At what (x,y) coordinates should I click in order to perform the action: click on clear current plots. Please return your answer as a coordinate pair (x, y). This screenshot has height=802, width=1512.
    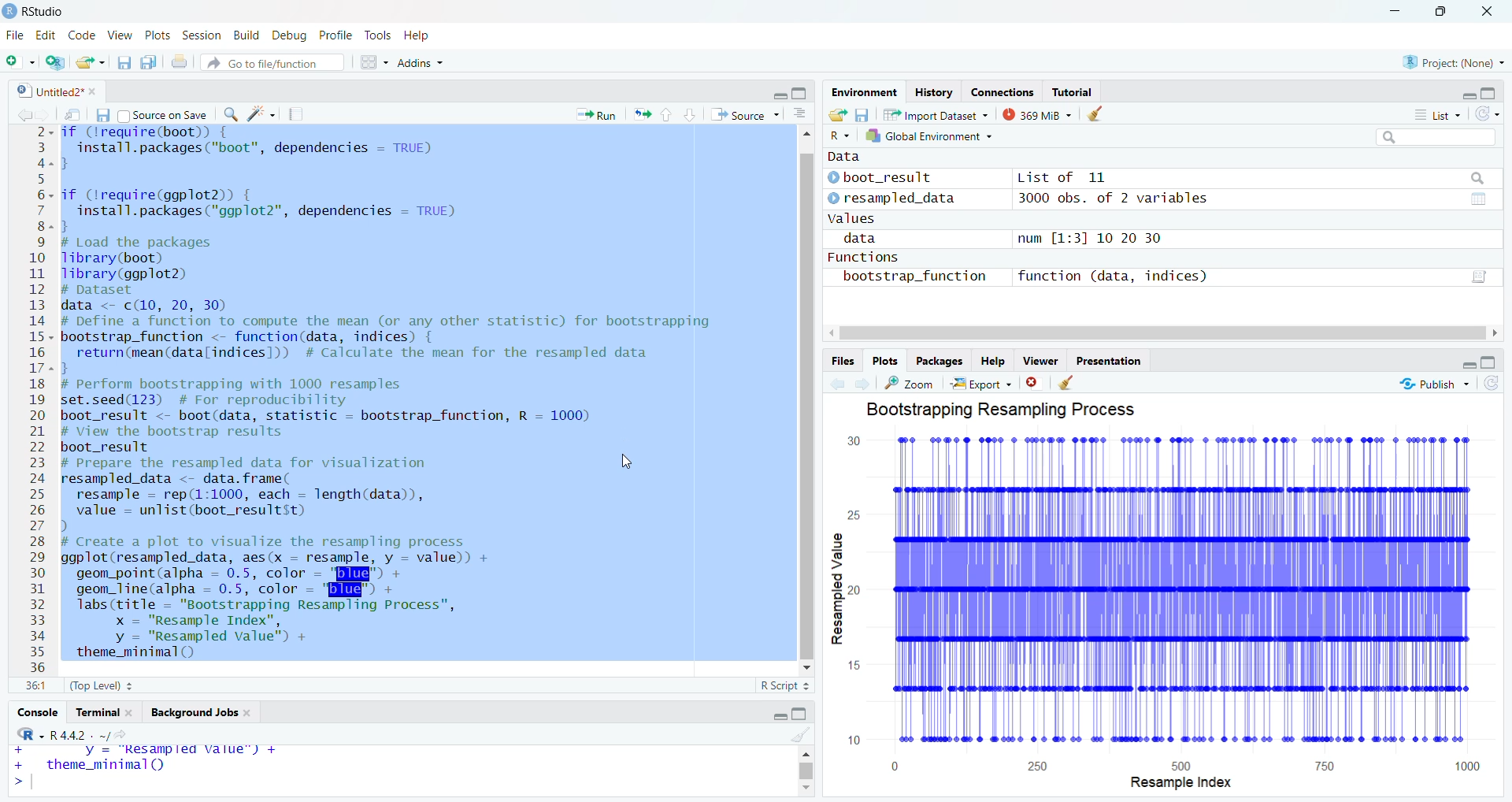
    Looking at the image, I should click on (1036, 382).